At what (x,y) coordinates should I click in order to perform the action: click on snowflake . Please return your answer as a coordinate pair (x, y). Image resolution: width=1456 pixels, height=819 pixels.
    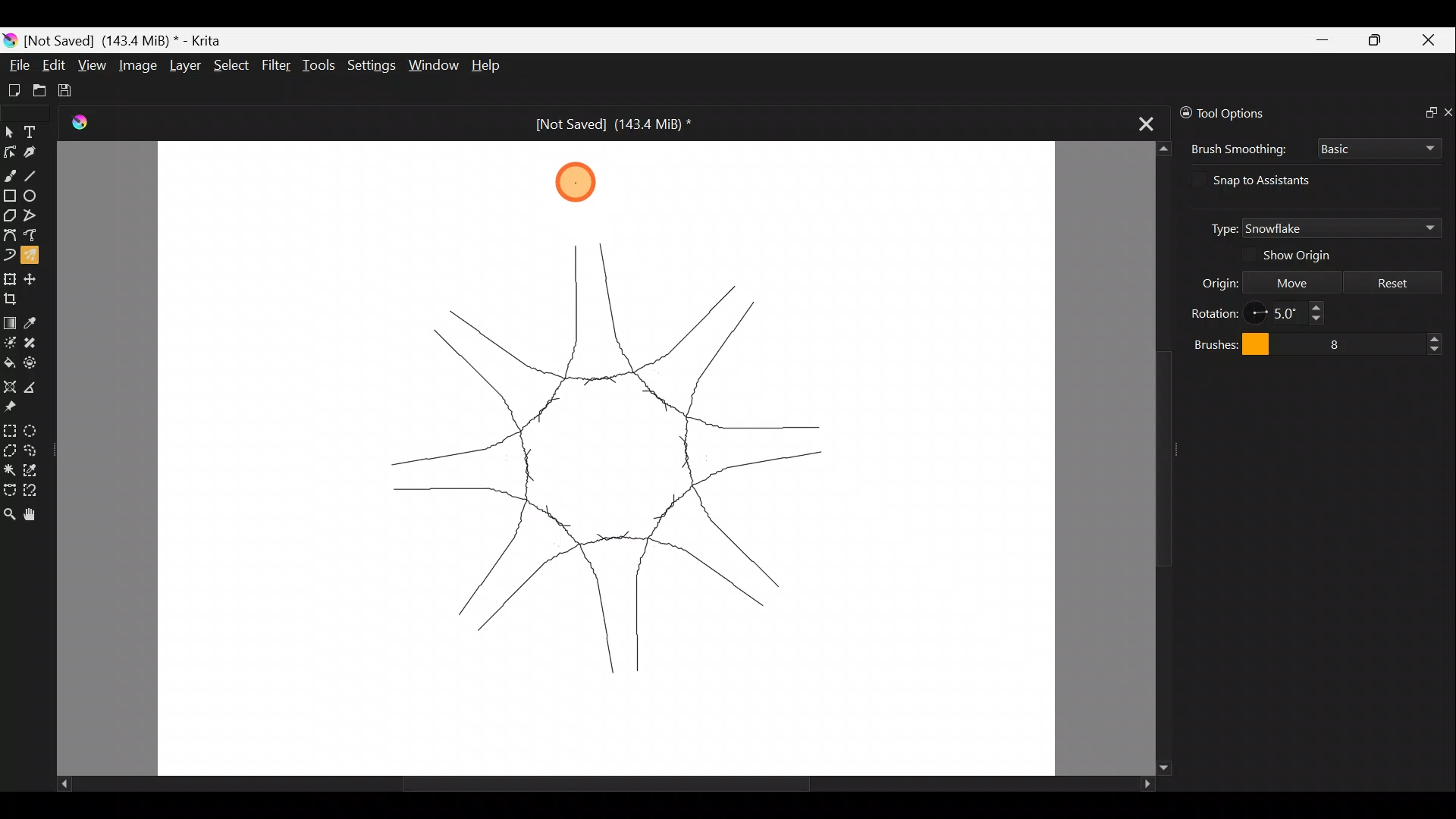
    Looking at the image, I should click on (613, 453).